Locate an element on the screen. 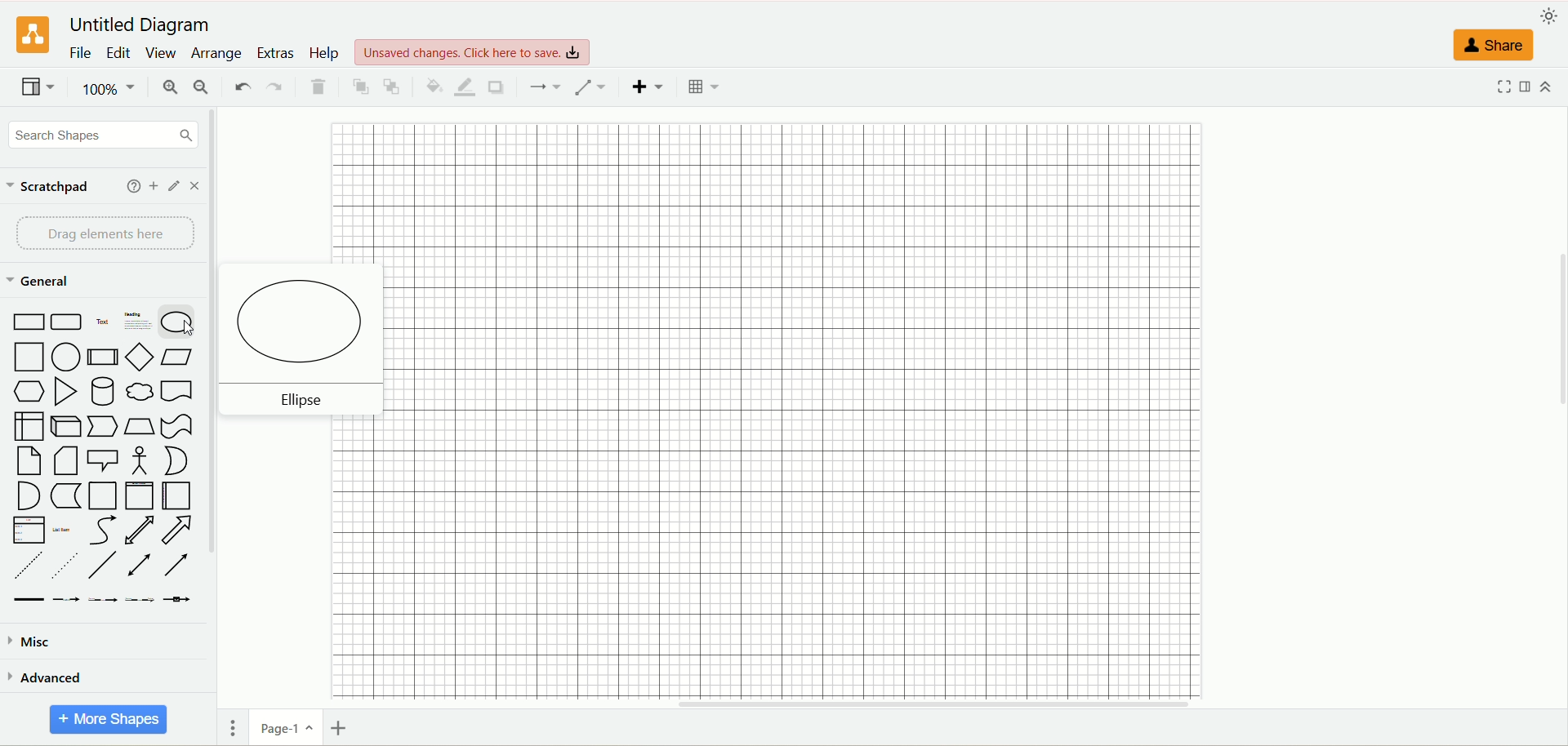  general is located at coordinates (42, 283).